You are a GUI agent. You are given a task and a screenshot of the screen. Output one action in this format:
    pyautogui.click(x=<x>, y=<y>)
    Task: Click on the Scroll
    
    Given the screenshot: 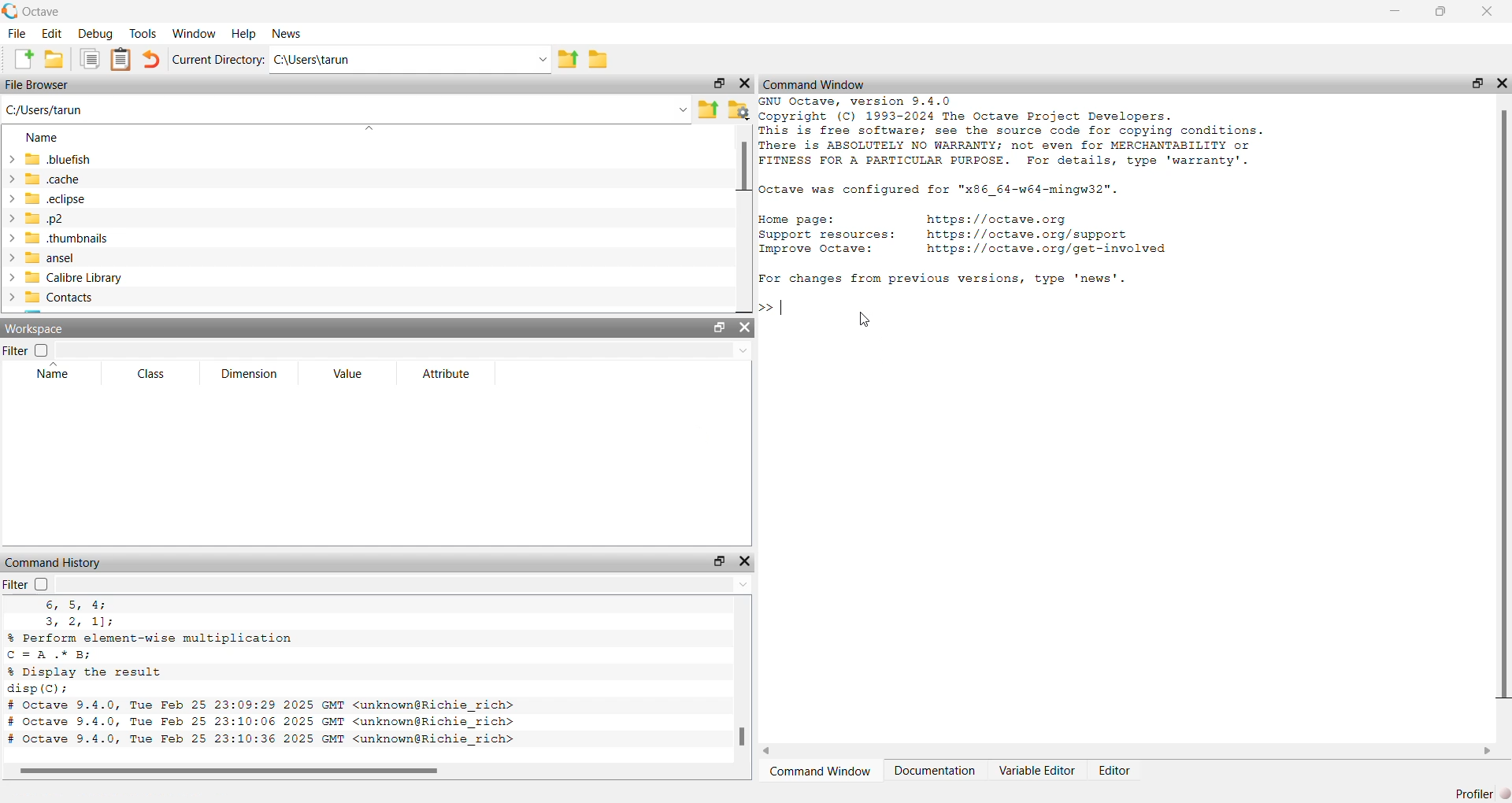 What is the action you would take?
    pyautogui.click(x=744, y=219)
    